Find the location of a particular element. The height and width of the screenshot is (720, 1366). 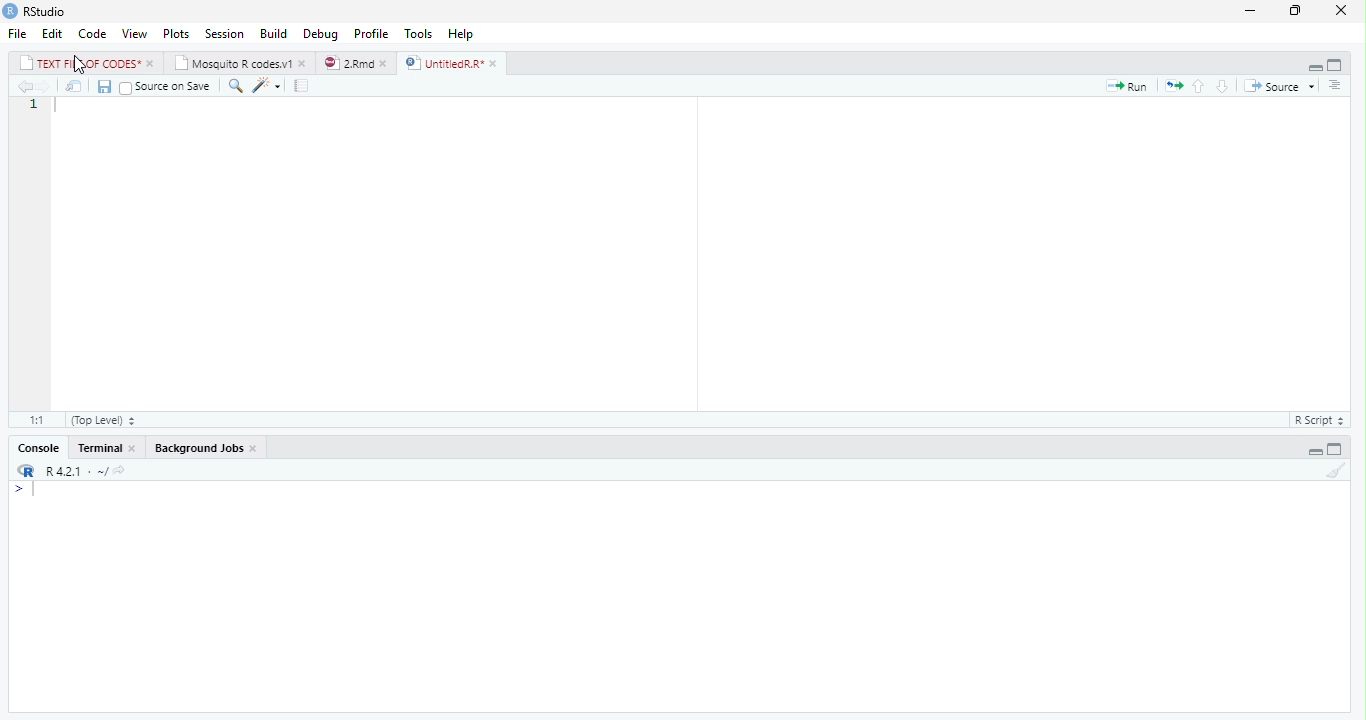

Hide is located at coordinates (1314, 449).